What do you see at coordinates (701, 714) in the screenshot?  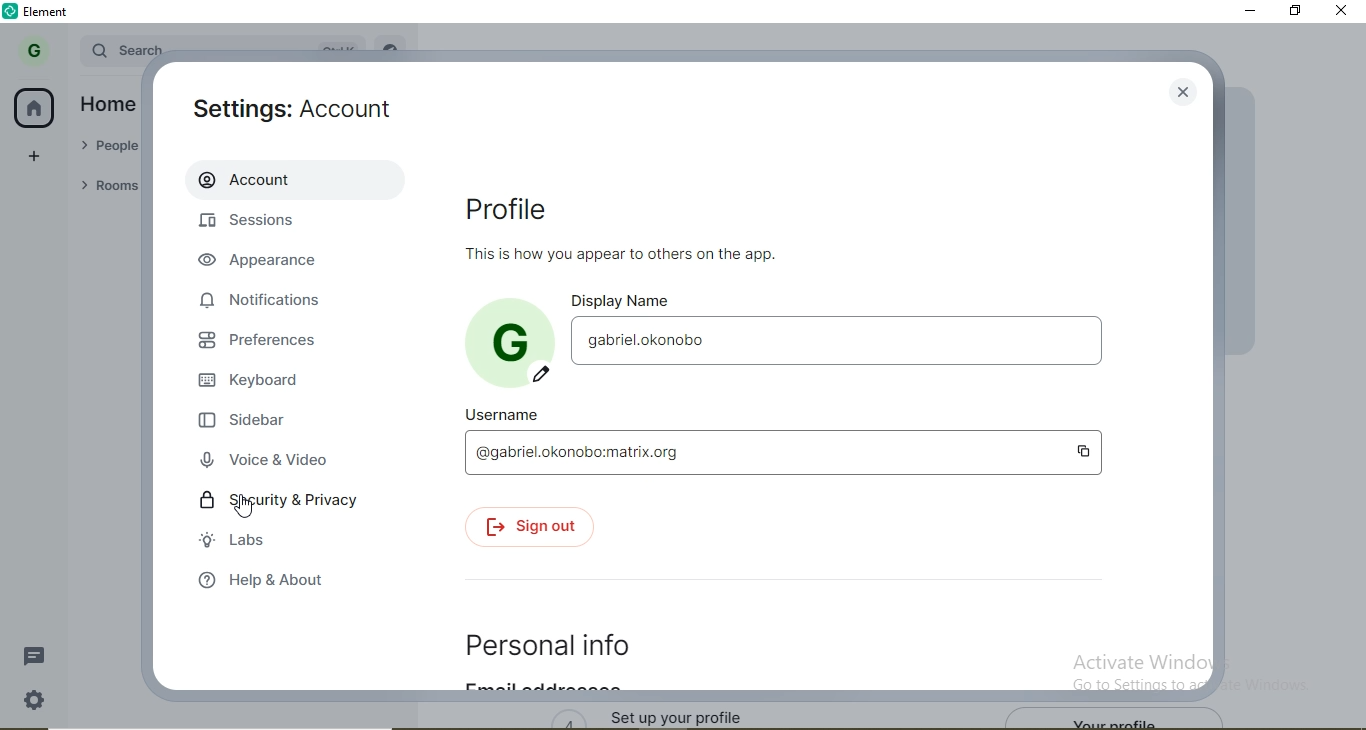 I see `set up your profile` at bounding box center [701, 714].